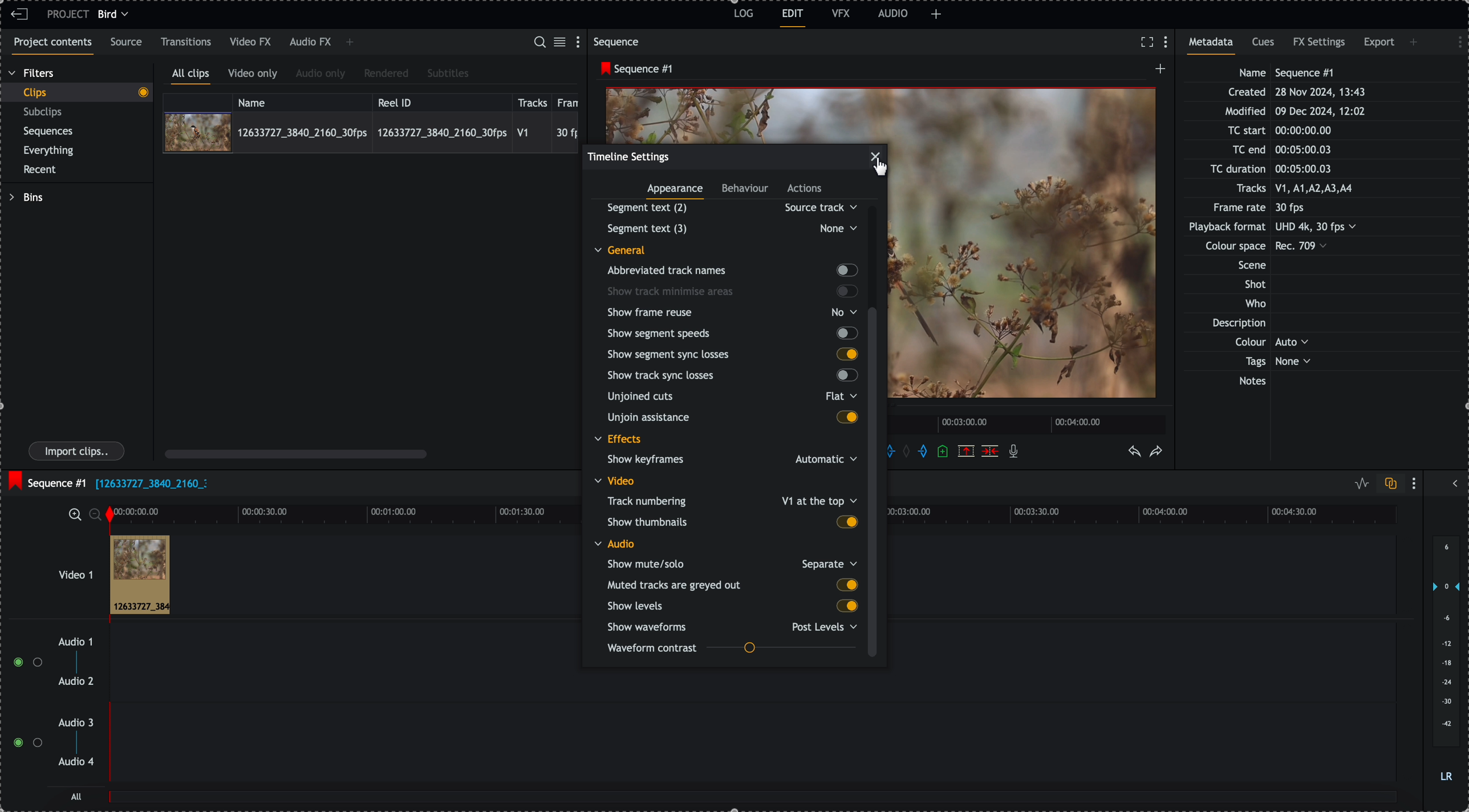 This screenshot has height=812, width=1469. Describe the element at coordinates (321, 75) in the screenshot. I see `audio only` at that location.